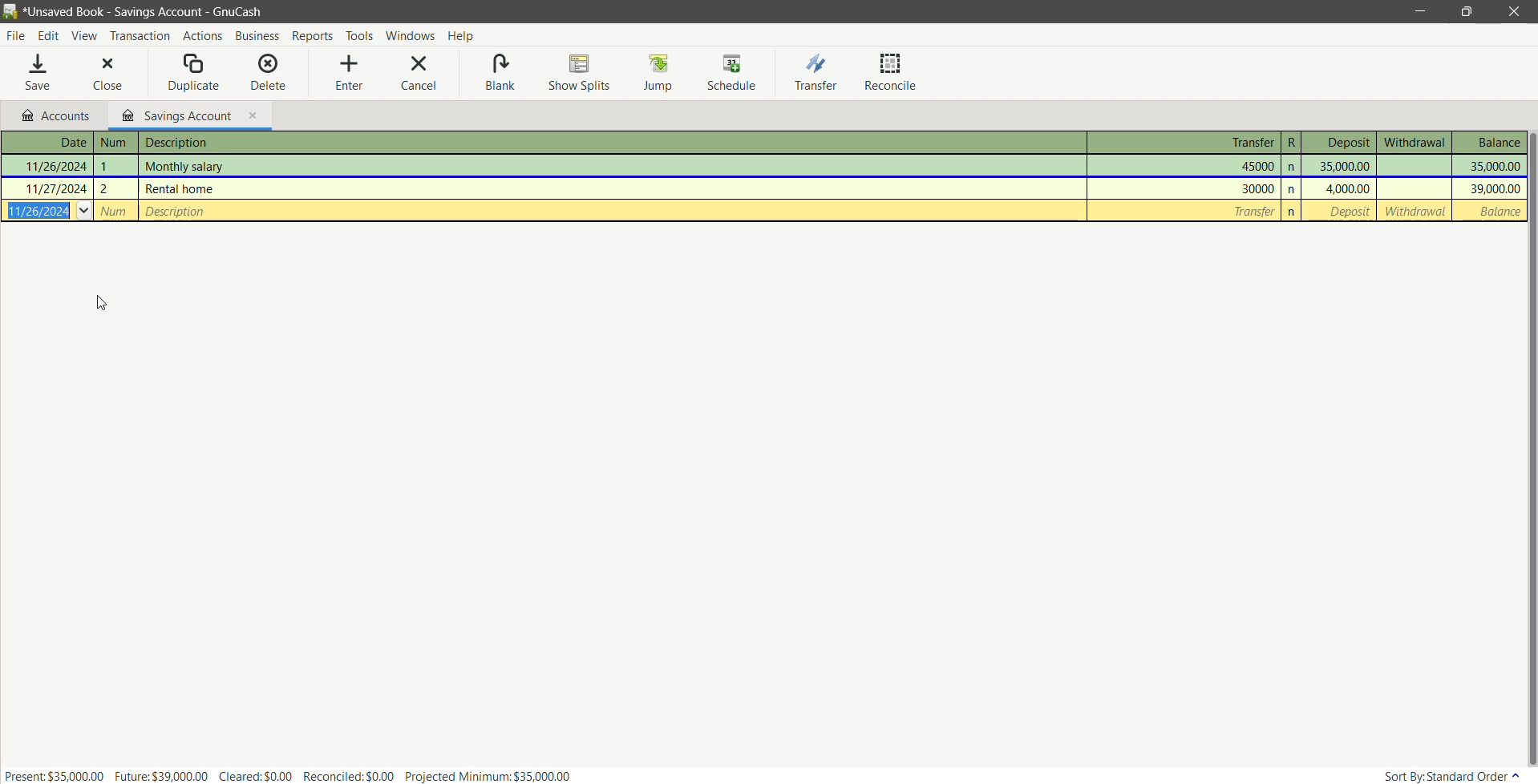 The image size is (1538, 784). I want to click on Minimize, so click(1420, 10).